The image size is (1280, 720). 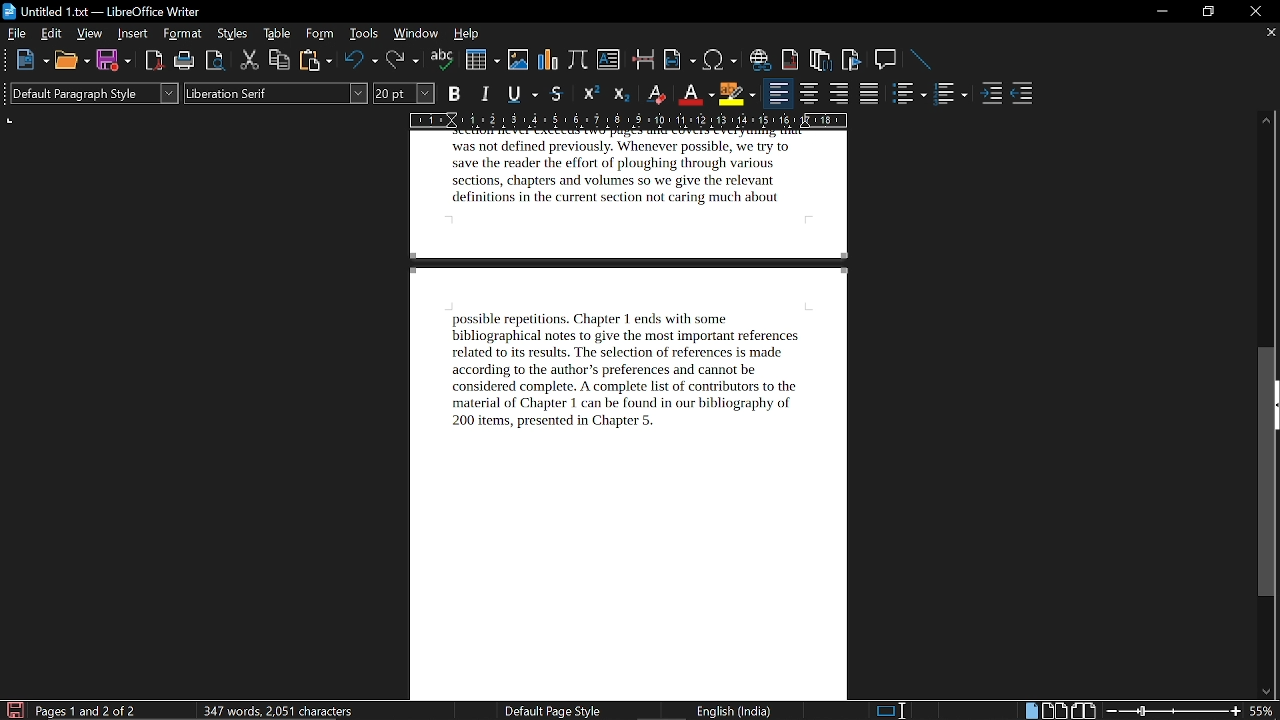 I want to click on align center, so click(x=807, y=95).